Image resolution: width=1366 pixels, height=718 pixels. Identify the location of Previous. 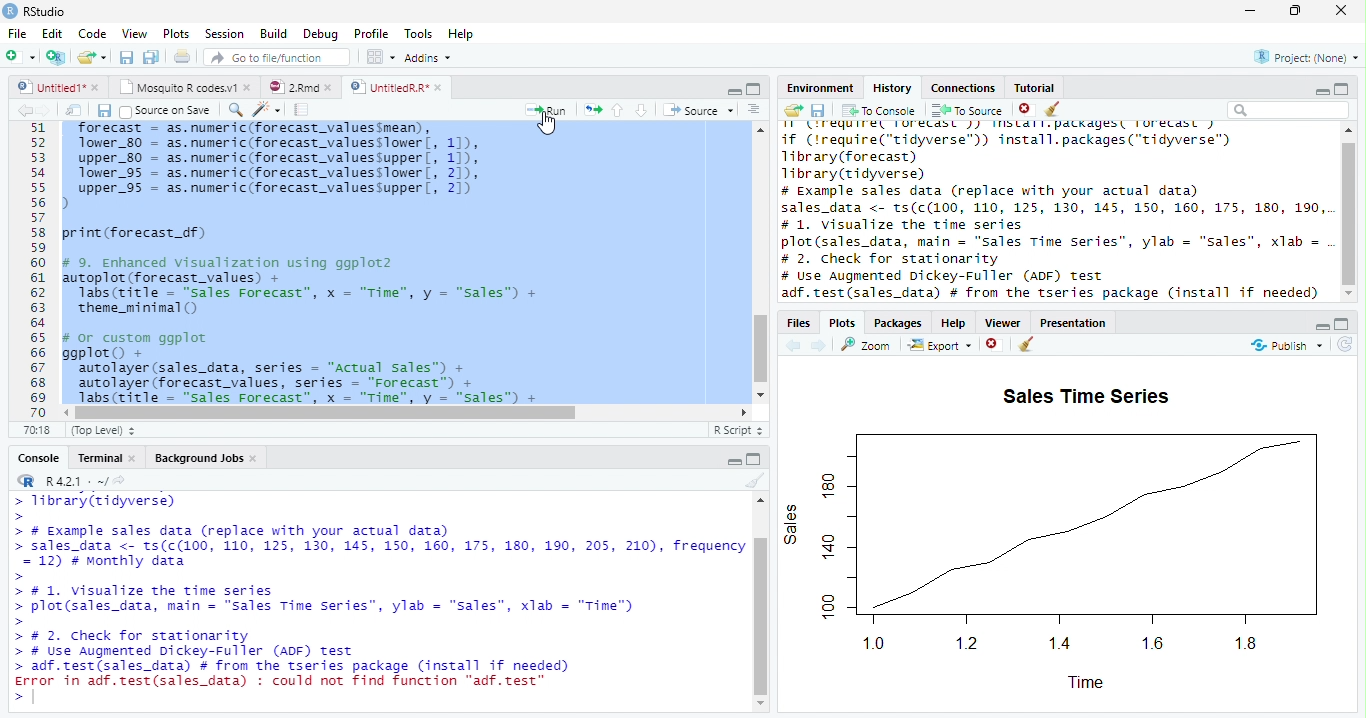
(22, 111).